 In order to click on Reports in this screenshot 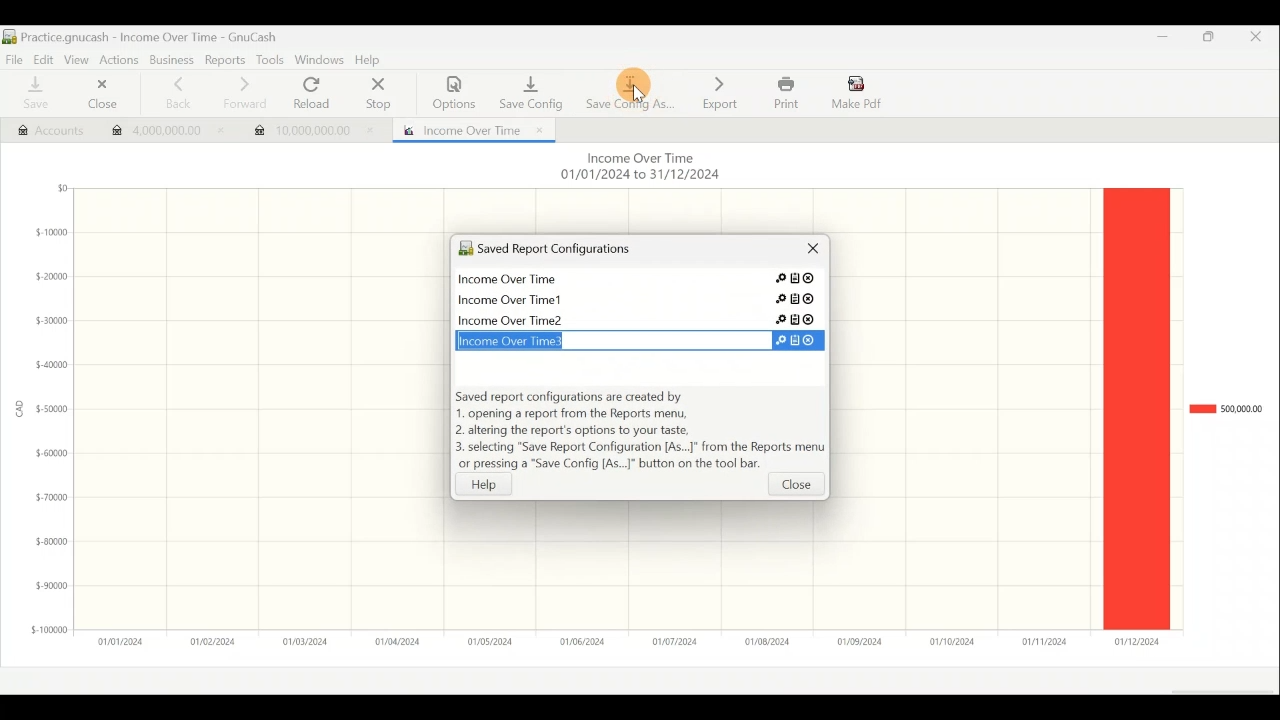, I will do `click(227, 60)`.